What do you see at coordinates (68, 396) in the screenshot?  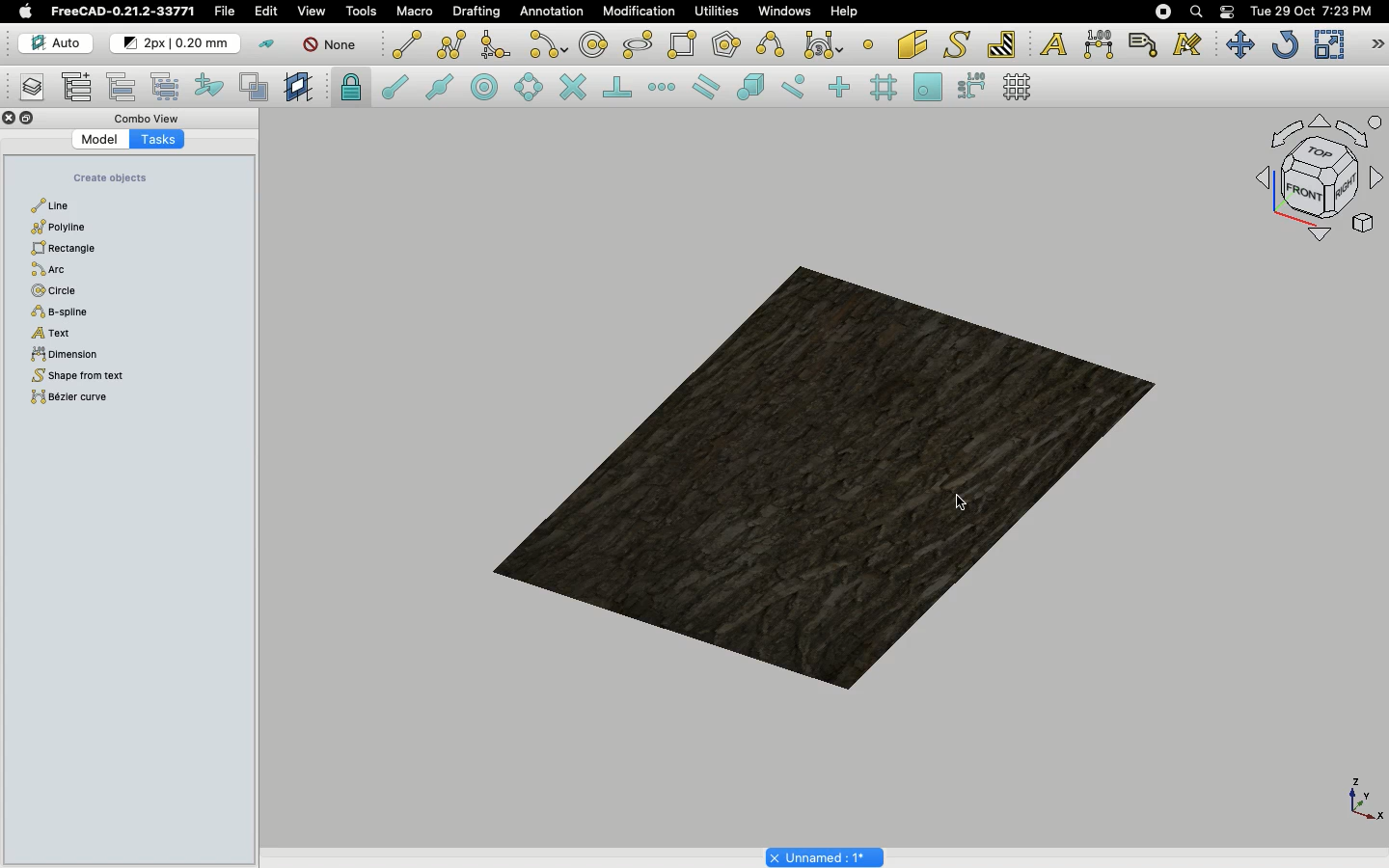 I see `Bézier curve` at bounding box center [68, 396].